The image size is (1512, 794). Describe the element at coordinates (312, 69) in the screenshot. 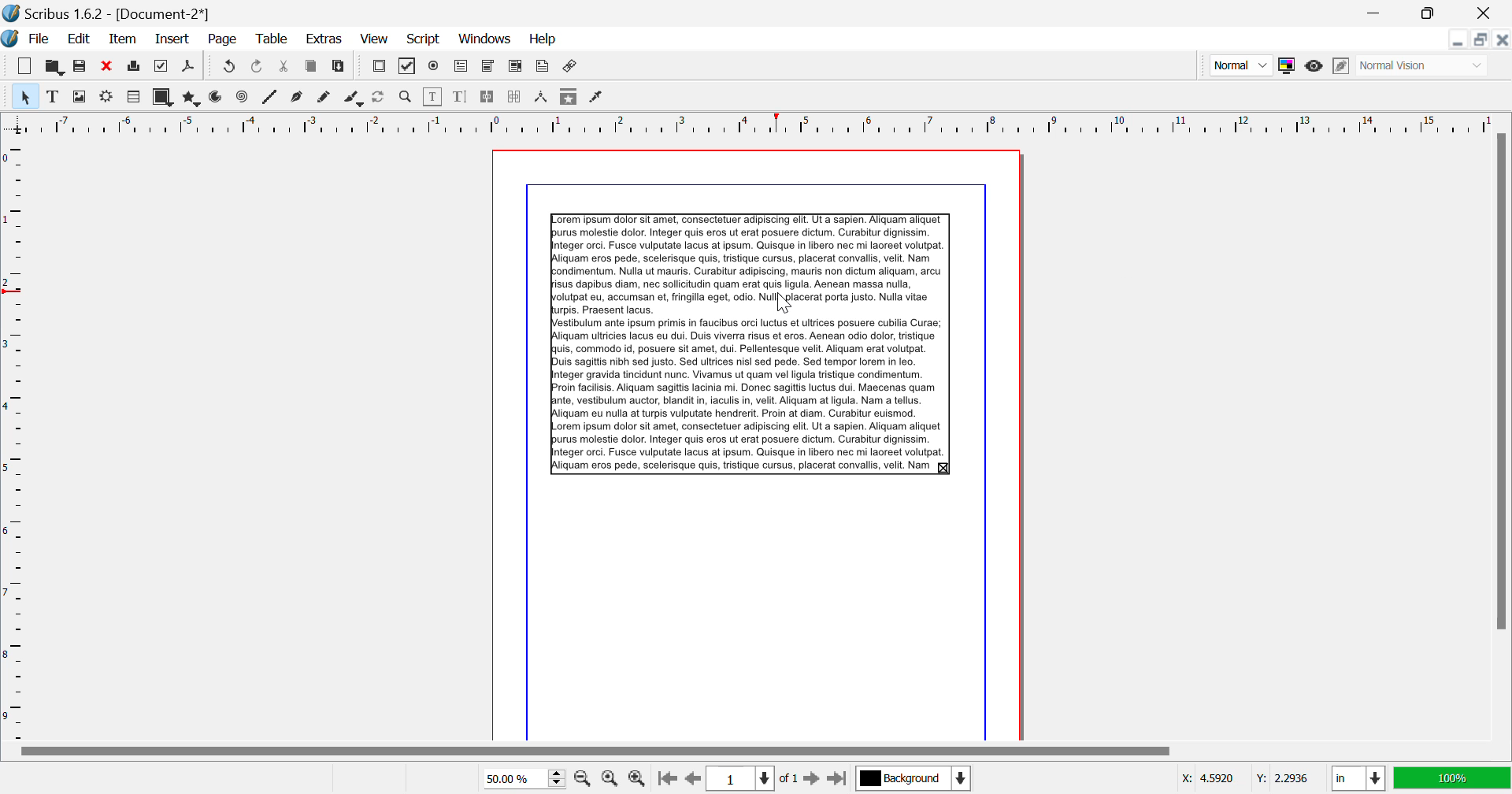

I see `Copy` at that location.